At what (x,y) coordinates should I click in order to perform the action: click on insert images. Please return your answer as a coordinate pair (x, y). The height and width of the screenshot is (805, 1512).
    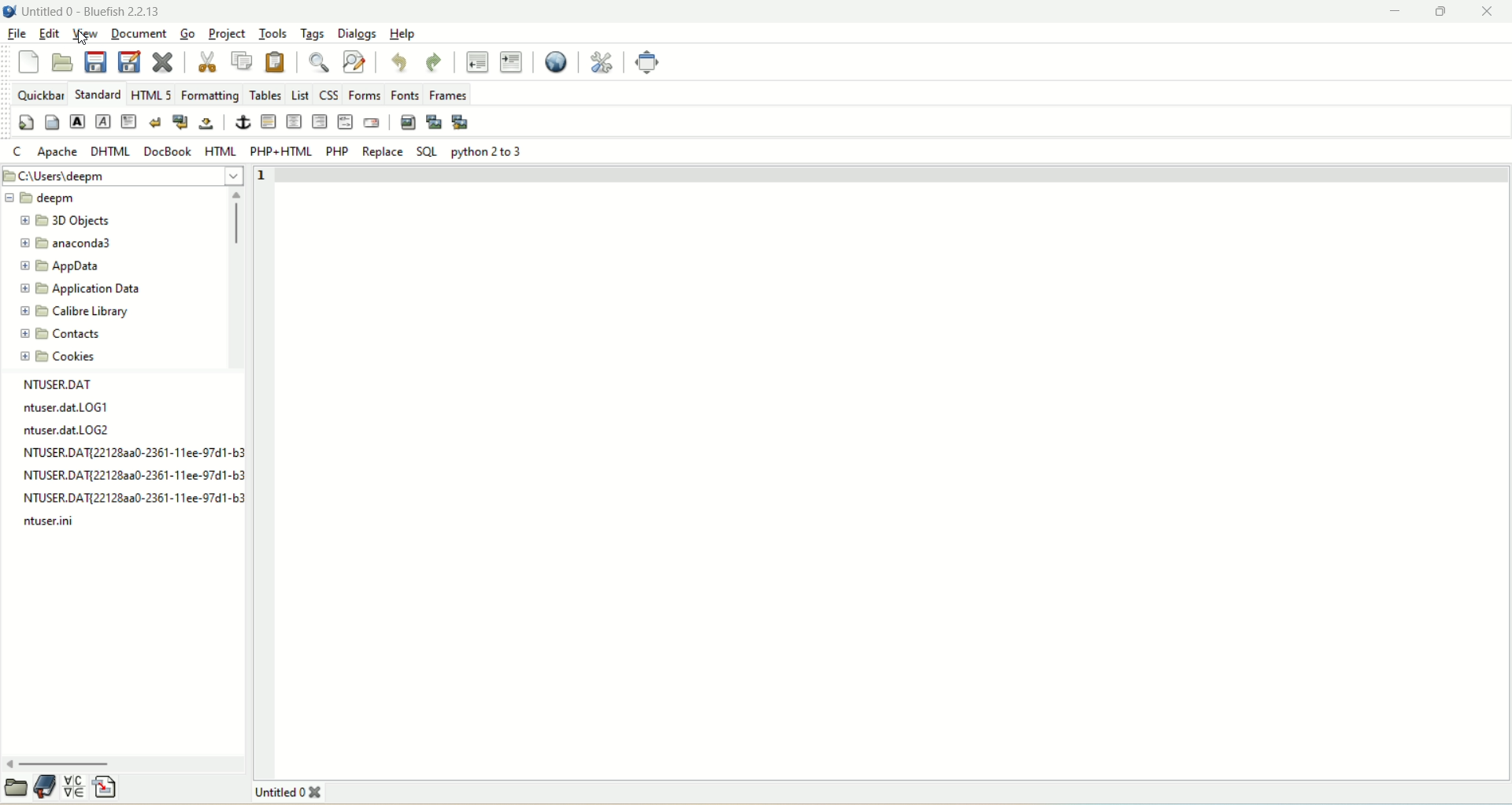
    Looking at the image, I should click on (407, 121).